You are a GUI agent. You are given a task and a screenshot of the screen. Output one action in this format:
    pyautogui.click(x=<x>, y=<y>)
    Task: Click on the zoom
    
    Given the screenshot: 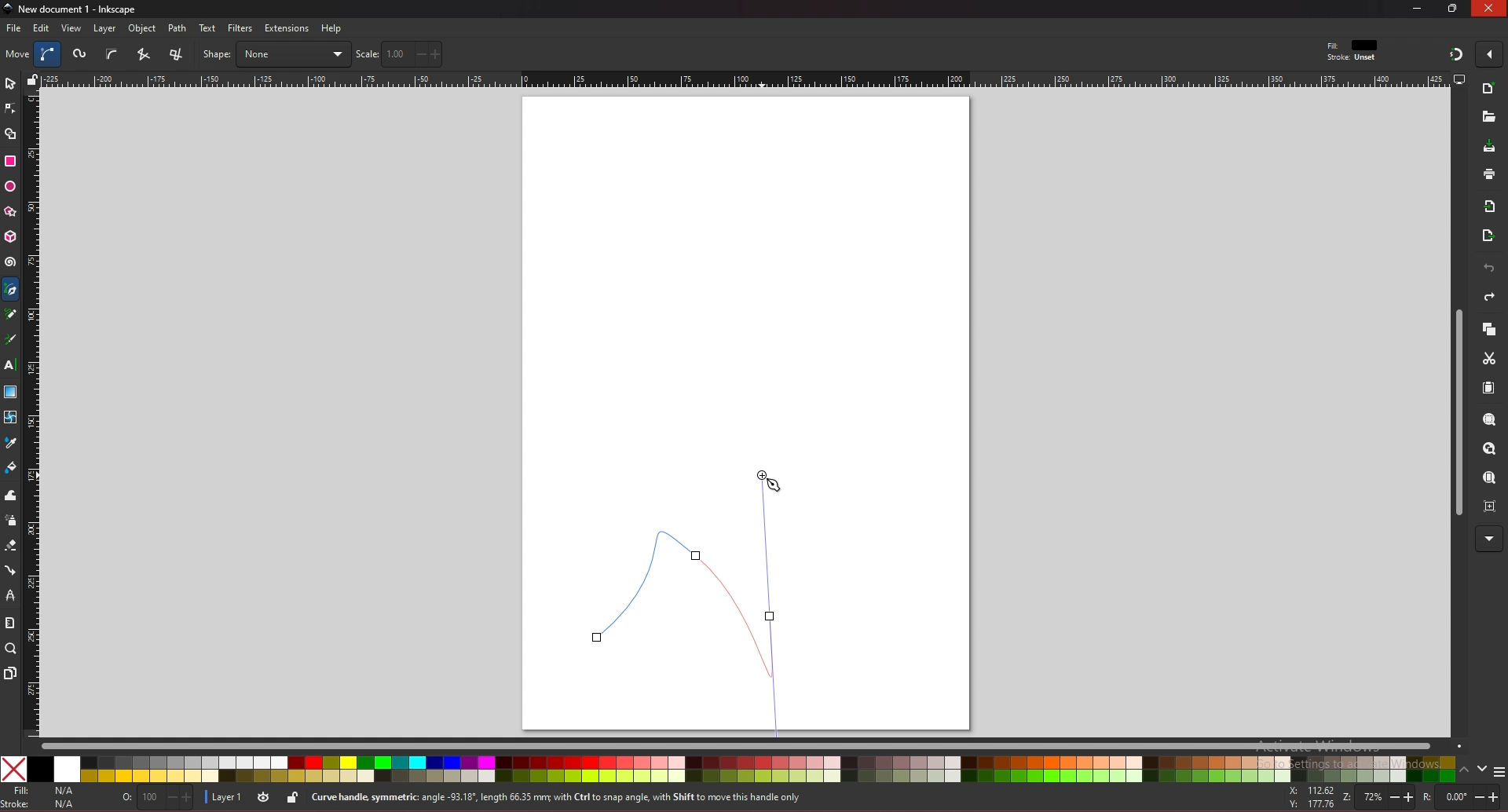 What is the action you would take?
    pyautogui.click(x=1376, y=799)
    